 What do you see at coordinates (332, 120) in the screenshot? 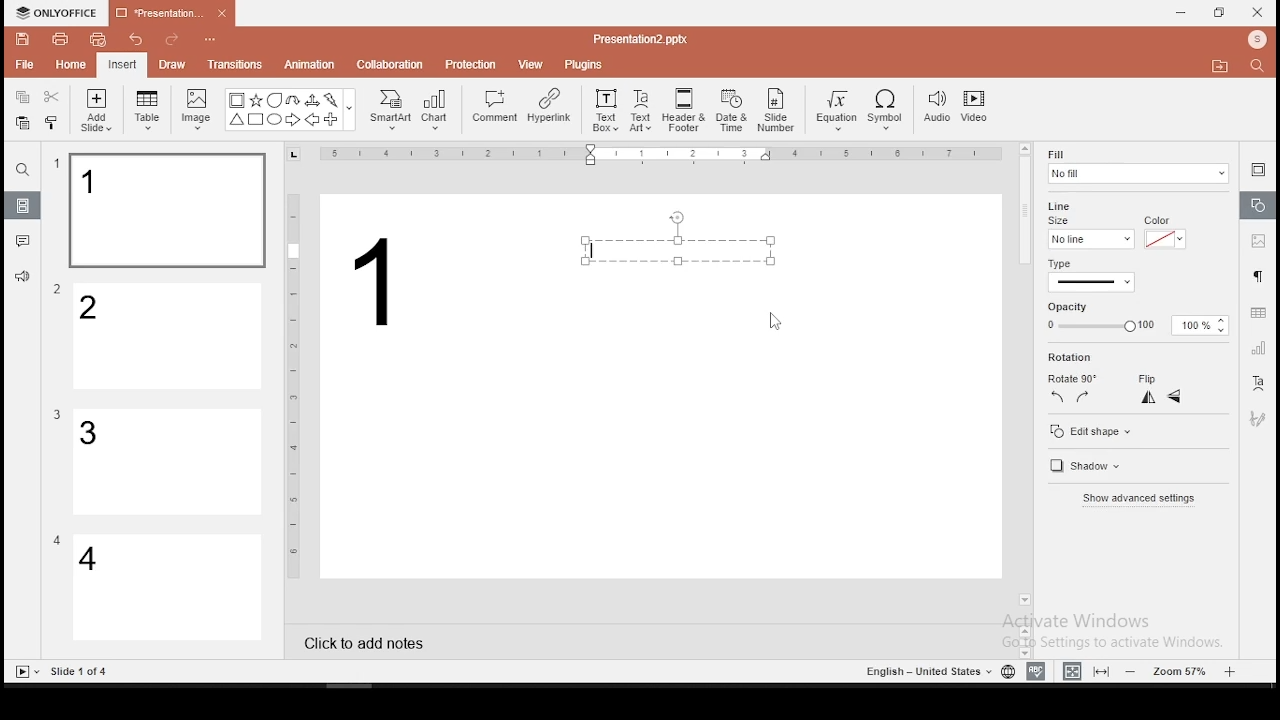
I see `Plus` at bounding box center [332, 120].